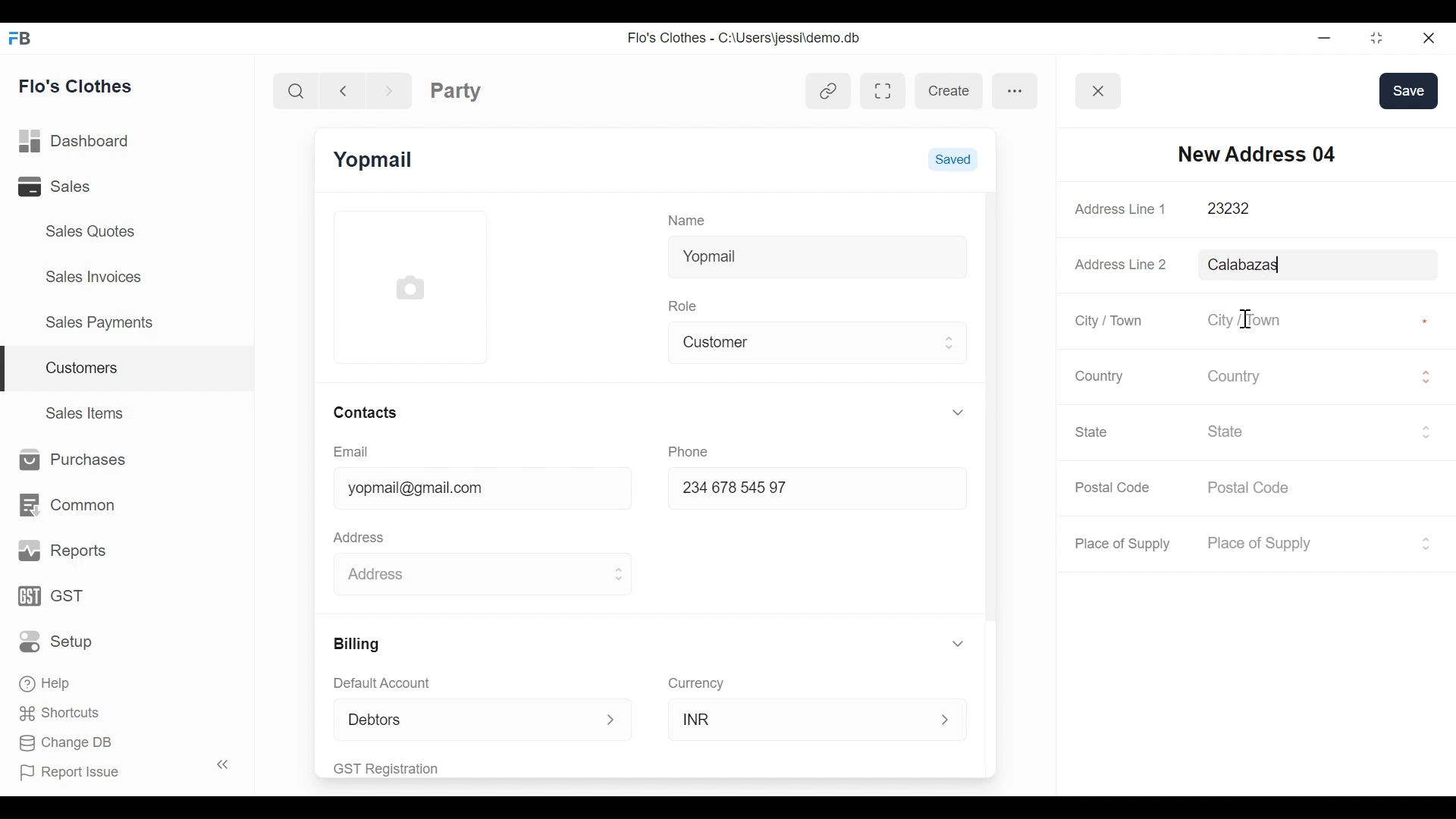 The height and width of the screenshot is (819, 1456). What do you see at coordinates (68, 460) in the screenshot?
I see `Purchases` at bounding box center [68, 460].